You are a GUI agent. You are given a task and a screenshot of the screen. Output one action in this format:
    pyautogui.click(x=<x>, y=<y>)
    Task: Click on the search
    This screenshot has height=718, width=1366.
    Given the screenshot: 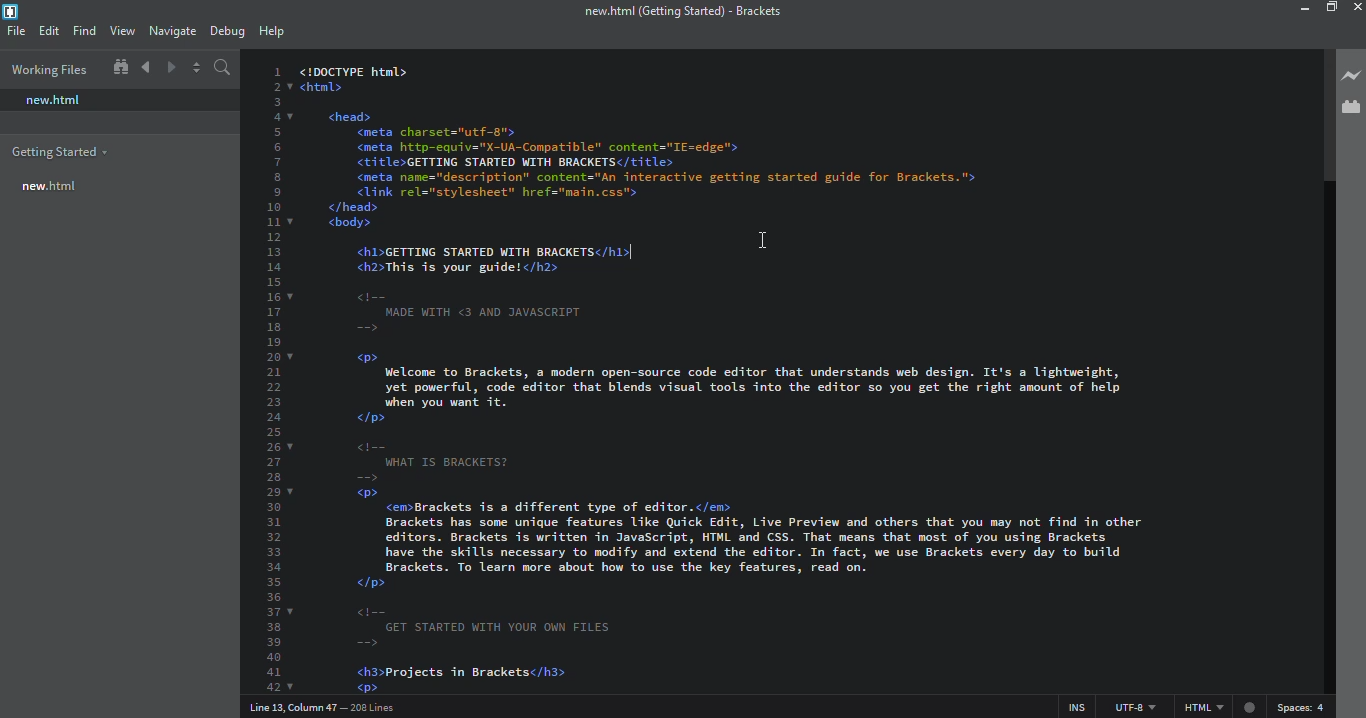 What is the action you would take?
    pyautogui.click(x=223, y=68)
    